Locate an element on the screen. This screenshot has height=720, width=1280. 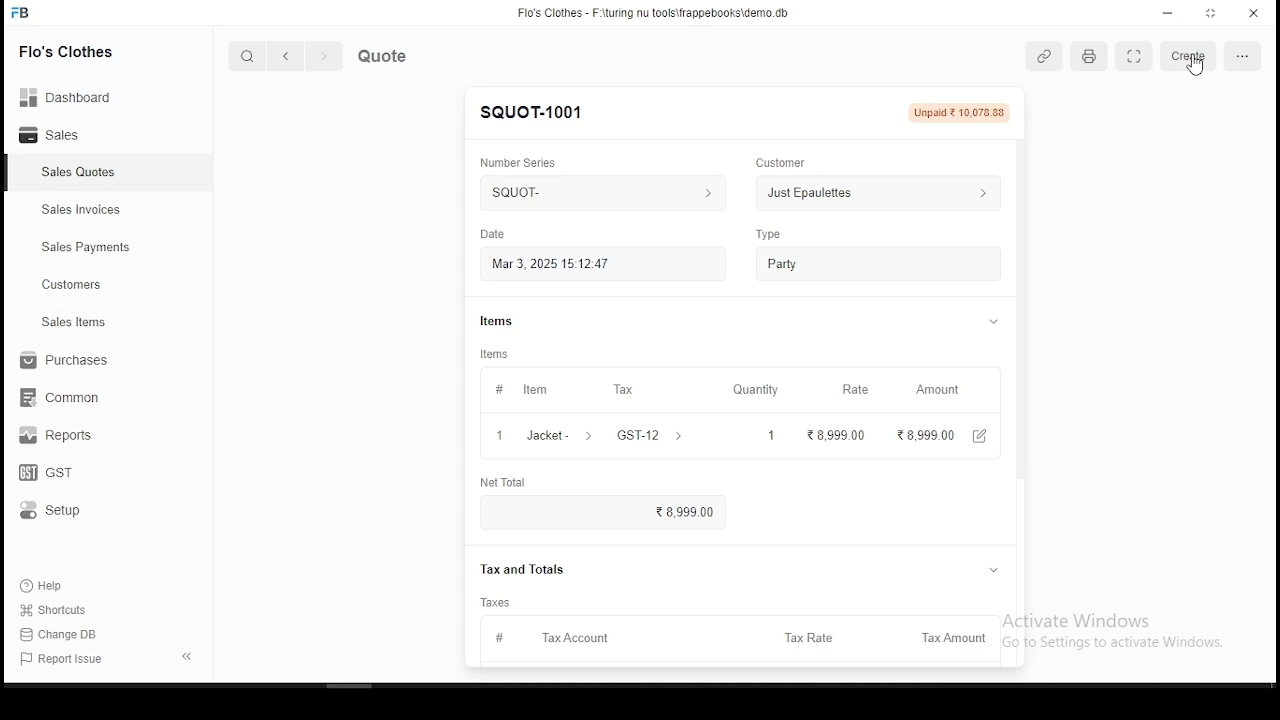
Flo's clothes is located at coordinates (82, 53).